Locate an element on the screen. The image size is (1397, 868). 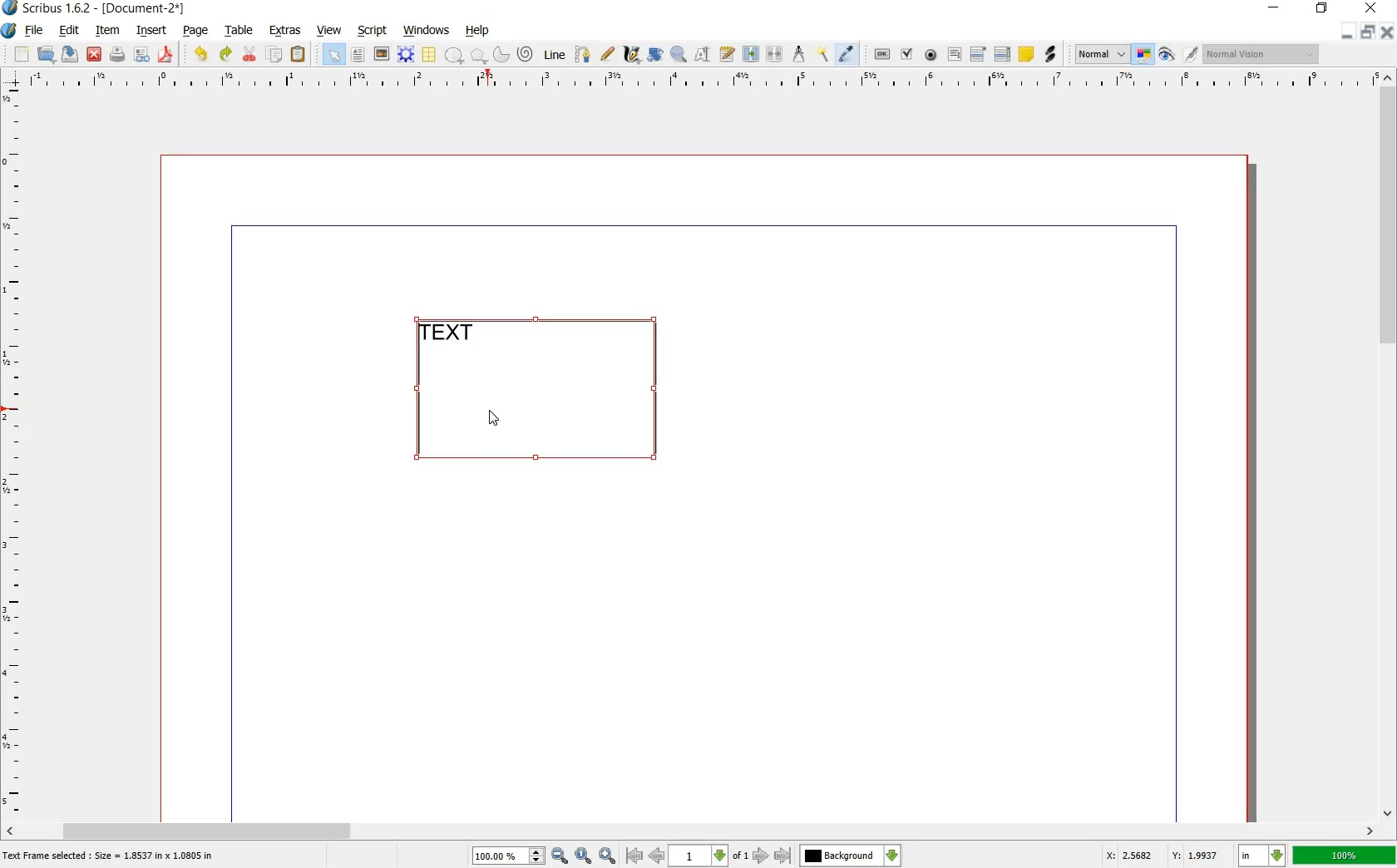
text frame is located at coordinates (357, 55).